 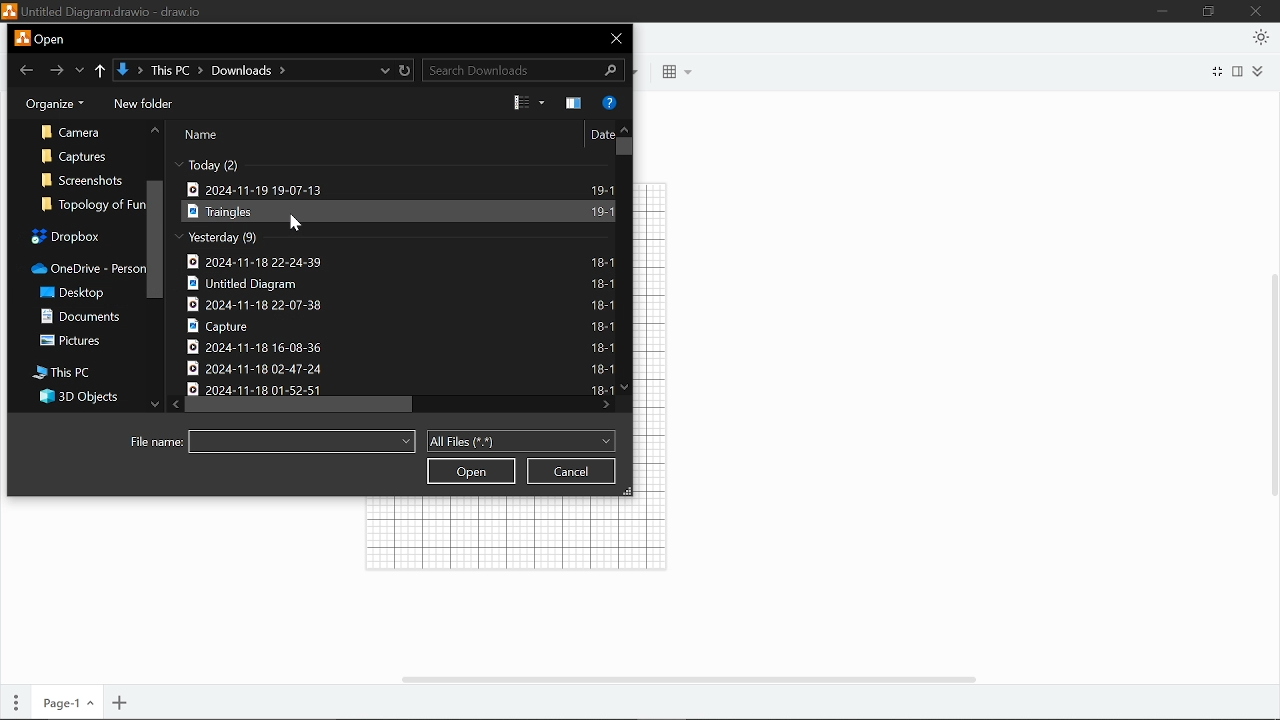 What do you see at coordinates (399, 326) in the screenshot?
I see `capture 18-` at bounding box center [399, 326].